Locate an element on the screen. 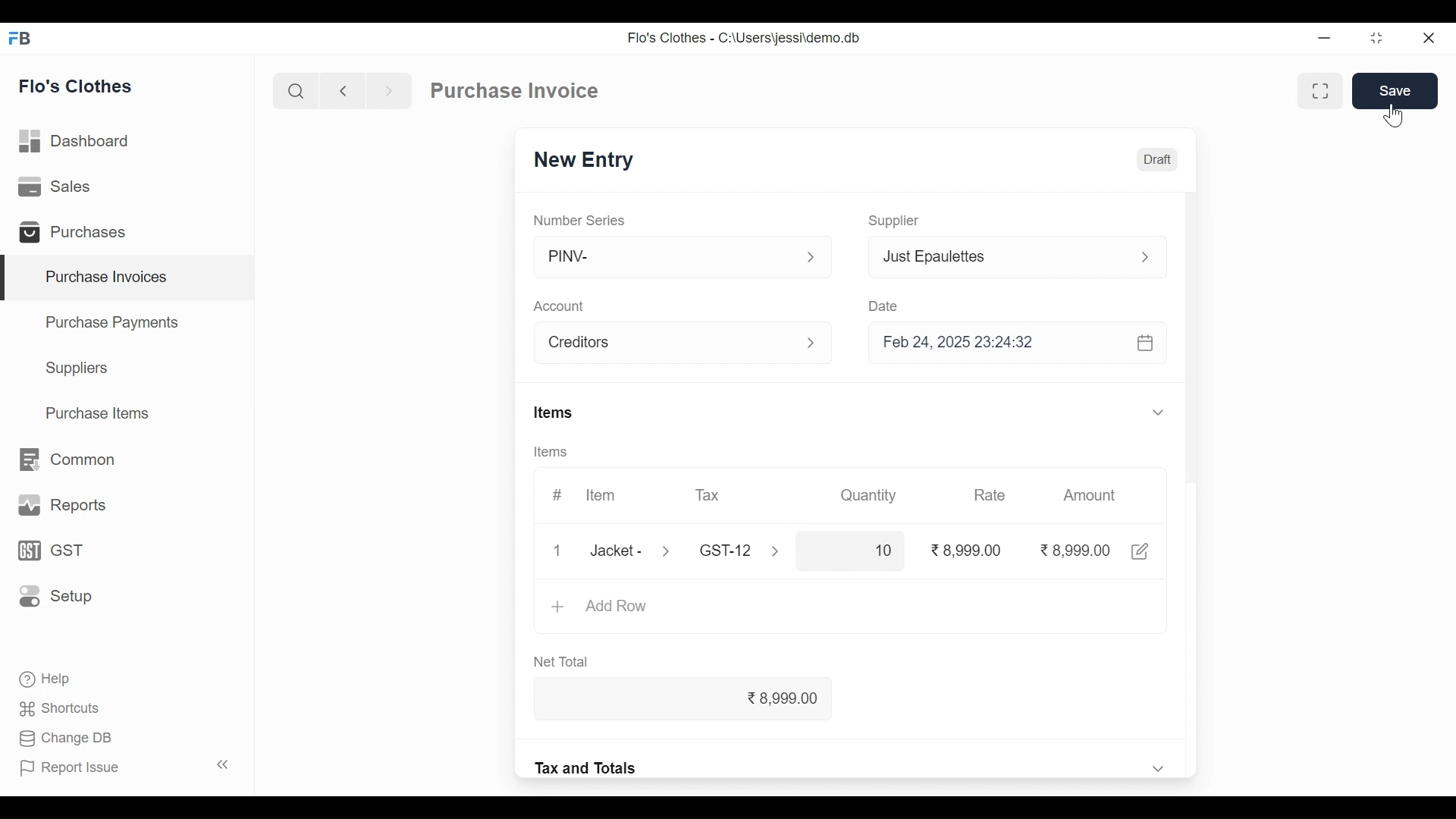 This screenshot has height=819, width=1456. New Entry is located at coordinates (585, 160).